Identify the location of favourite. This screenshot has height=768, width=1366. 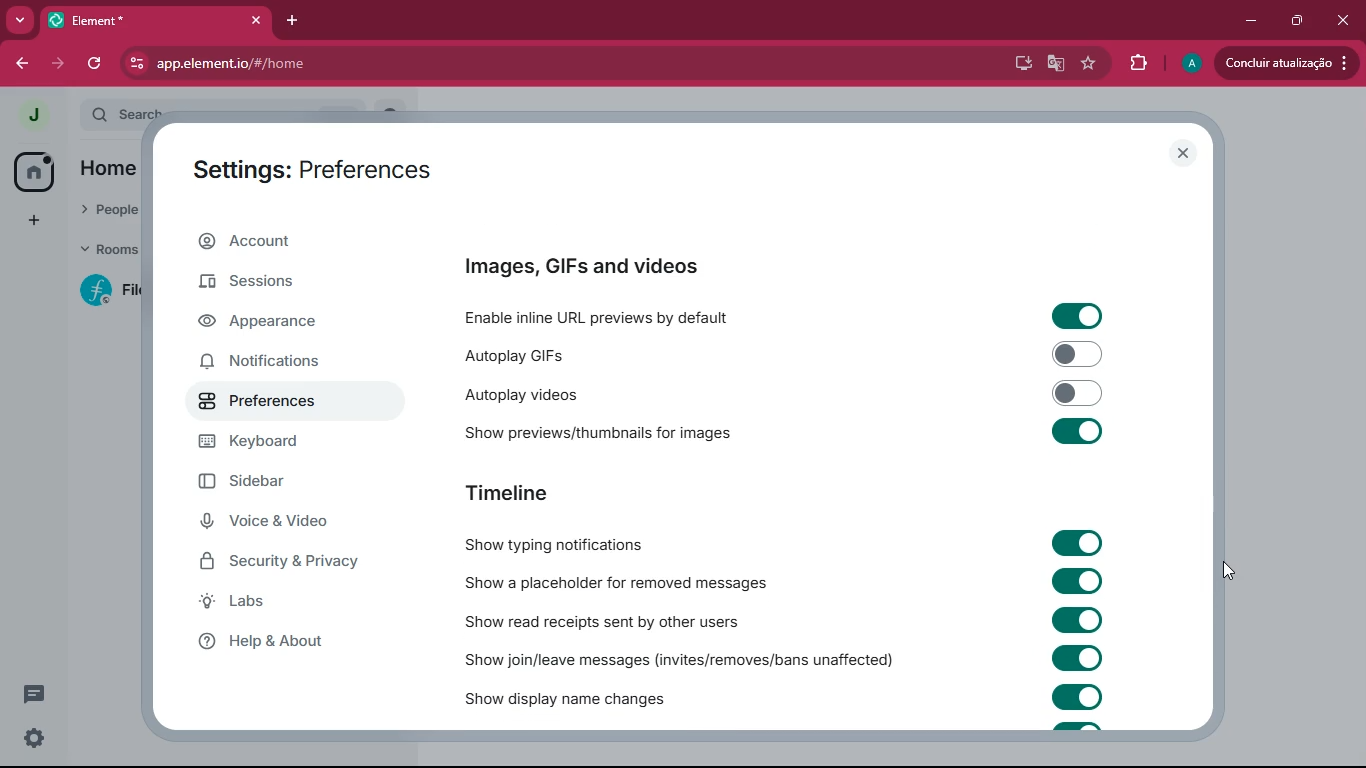
(1090, 65).